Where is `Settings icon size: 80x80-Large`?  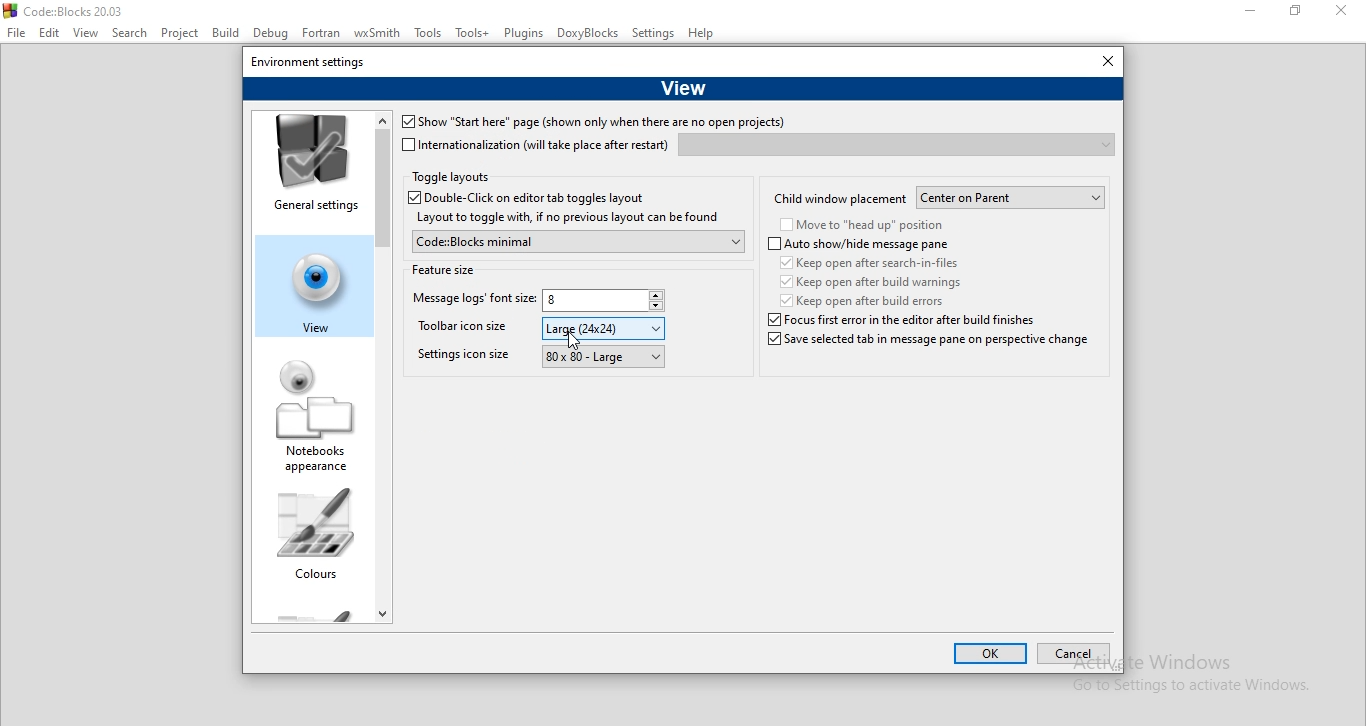
Settings icon size: 80x80-Large is located at coordinates (462, 359).